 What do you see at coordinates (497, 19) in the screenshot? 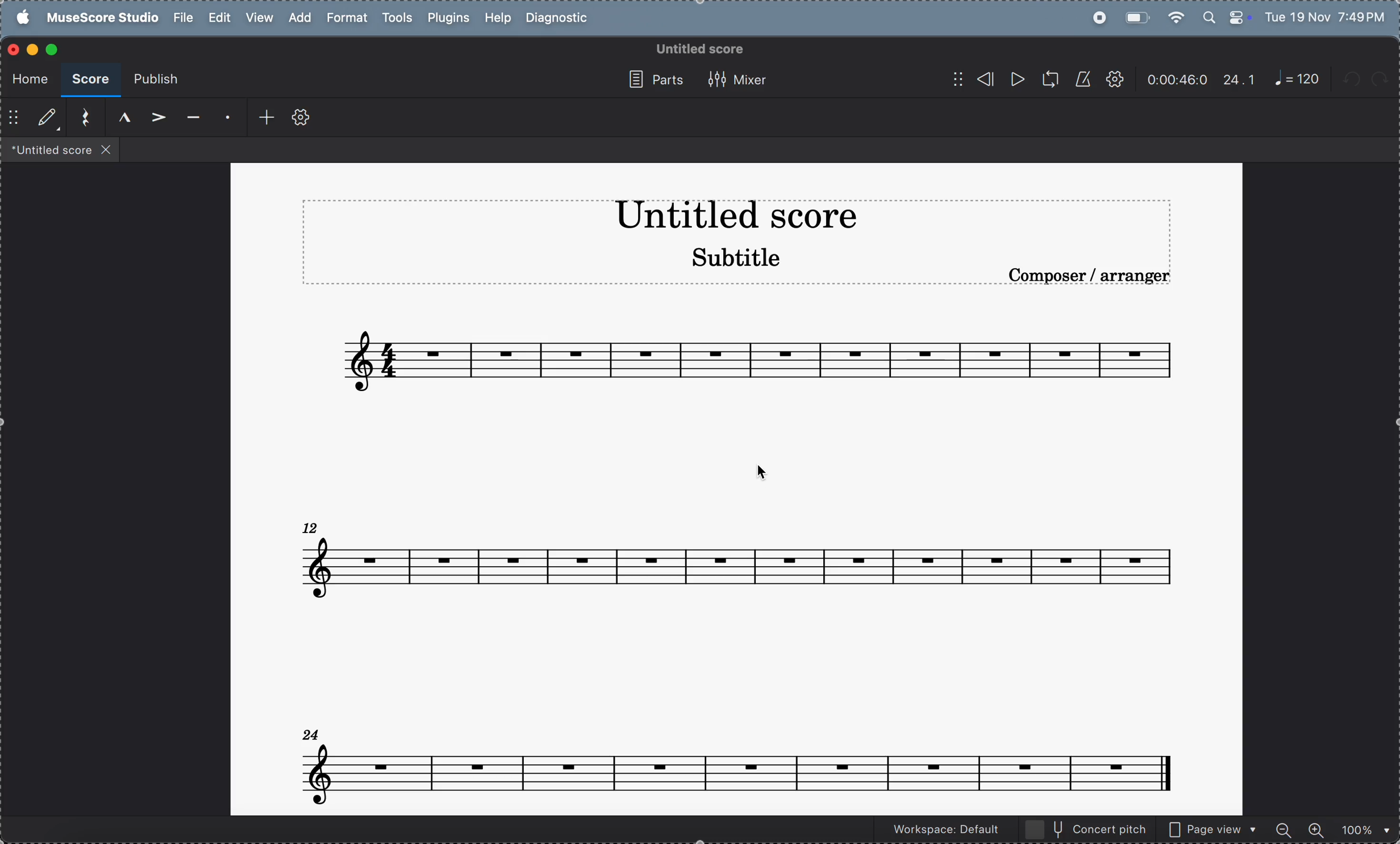
I see `help` at bounding box center [497, 19].